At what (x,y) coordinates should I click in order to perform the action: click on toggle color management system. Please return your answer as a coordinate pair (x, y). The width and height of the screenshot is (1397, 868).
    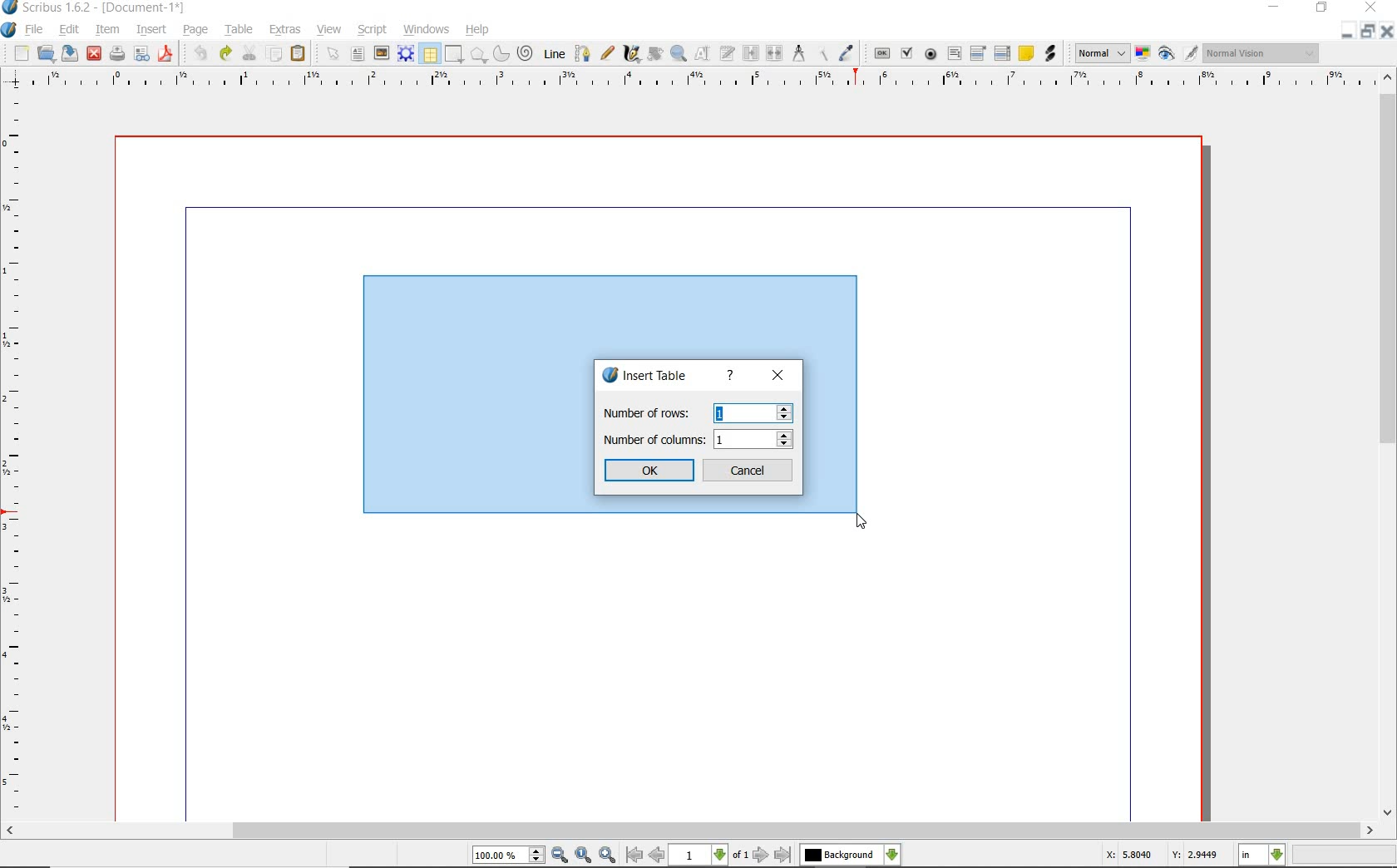
    Looking at the image, I should click on (1144, 55).